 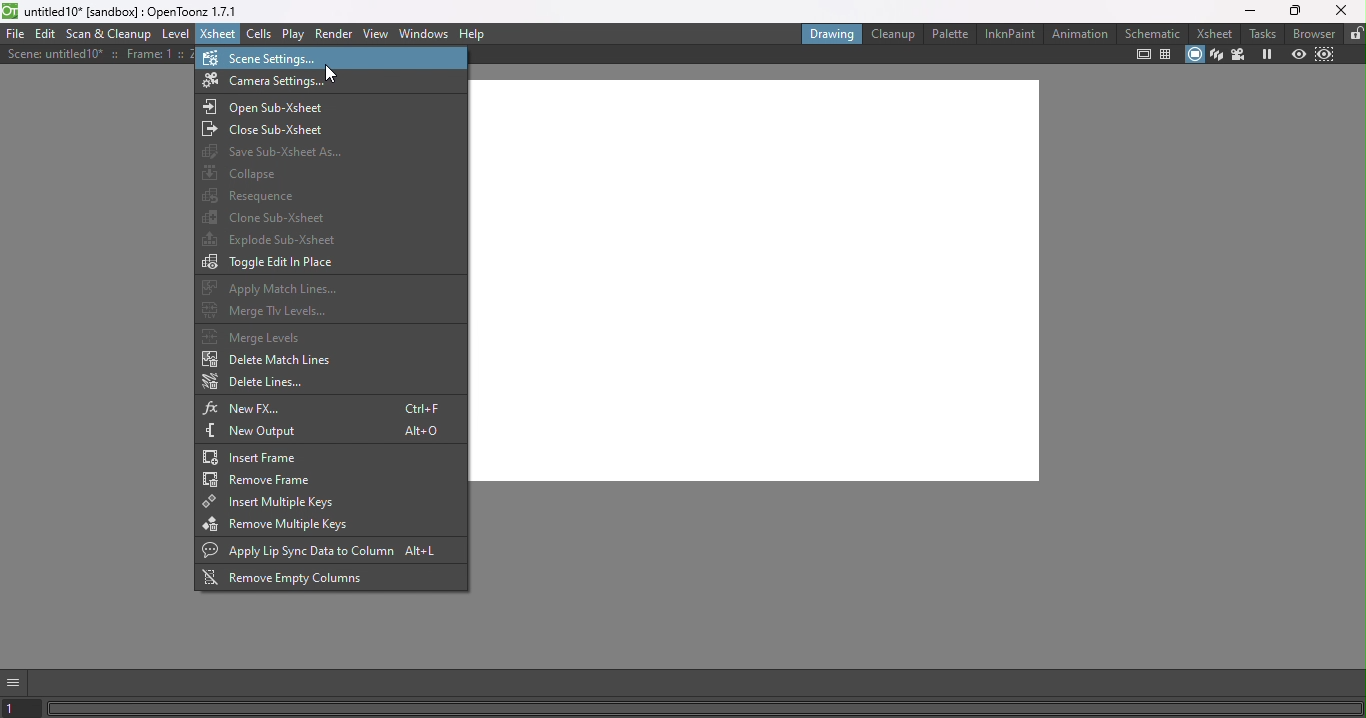 What do you see at coordinates (1152, 34) in the screenshot?
I see `Schematic` at bounding box center [1152, 34].